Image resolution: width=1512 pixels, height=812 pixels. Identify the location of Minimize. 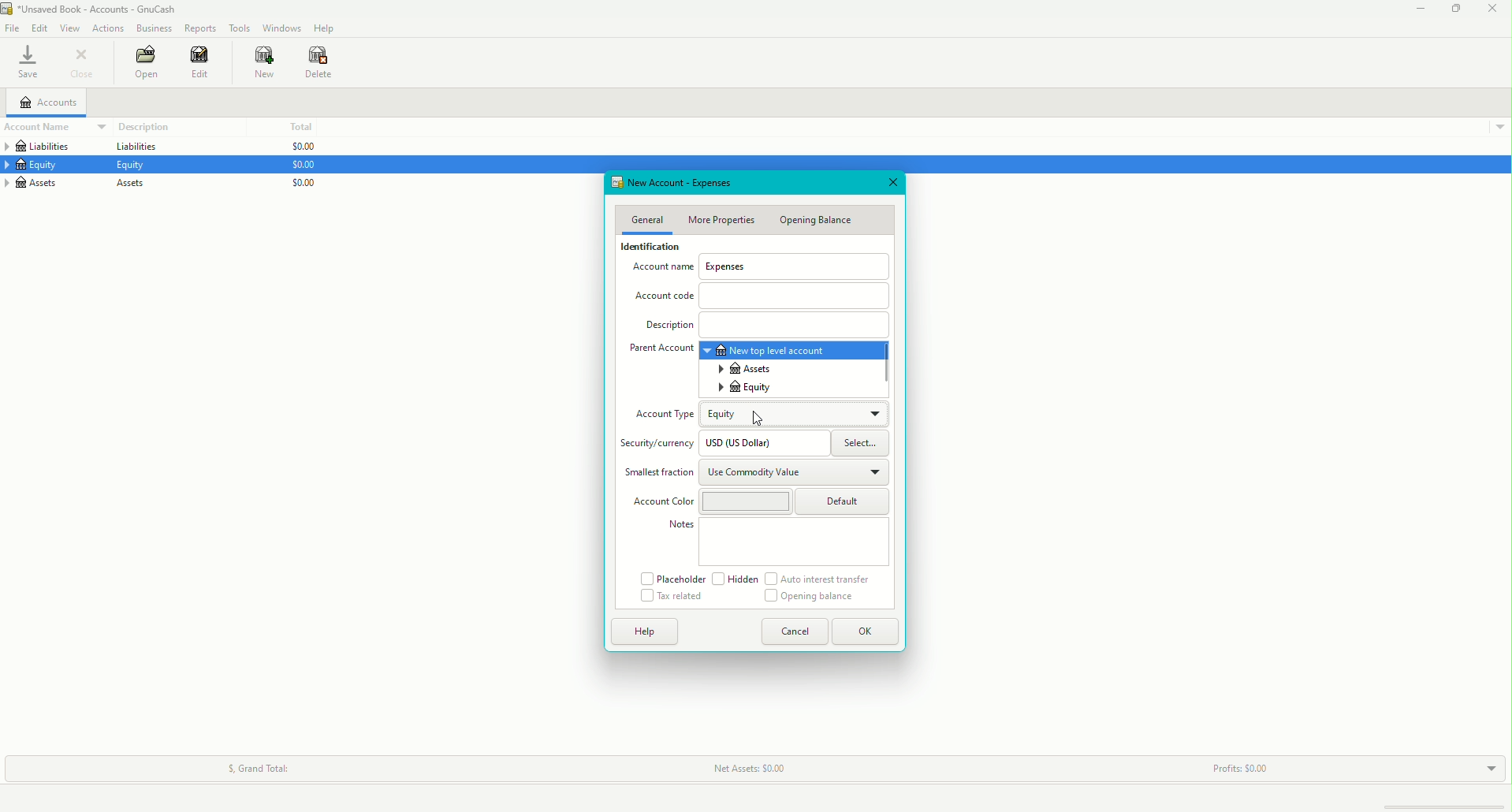
(1417, 9).